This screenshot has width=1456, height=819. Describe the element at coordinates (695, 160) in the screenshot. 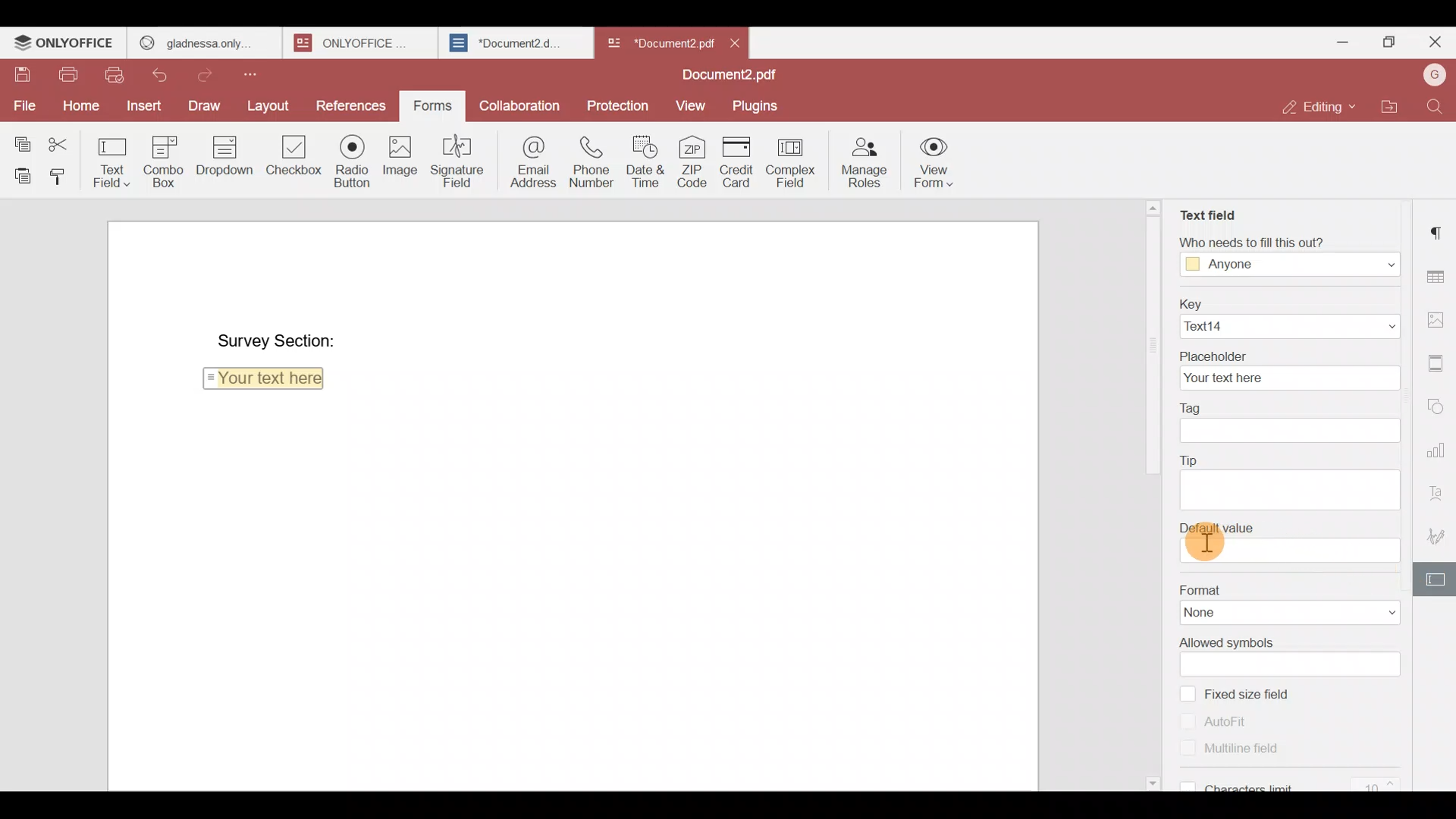

I see `ZIP code` at that location.